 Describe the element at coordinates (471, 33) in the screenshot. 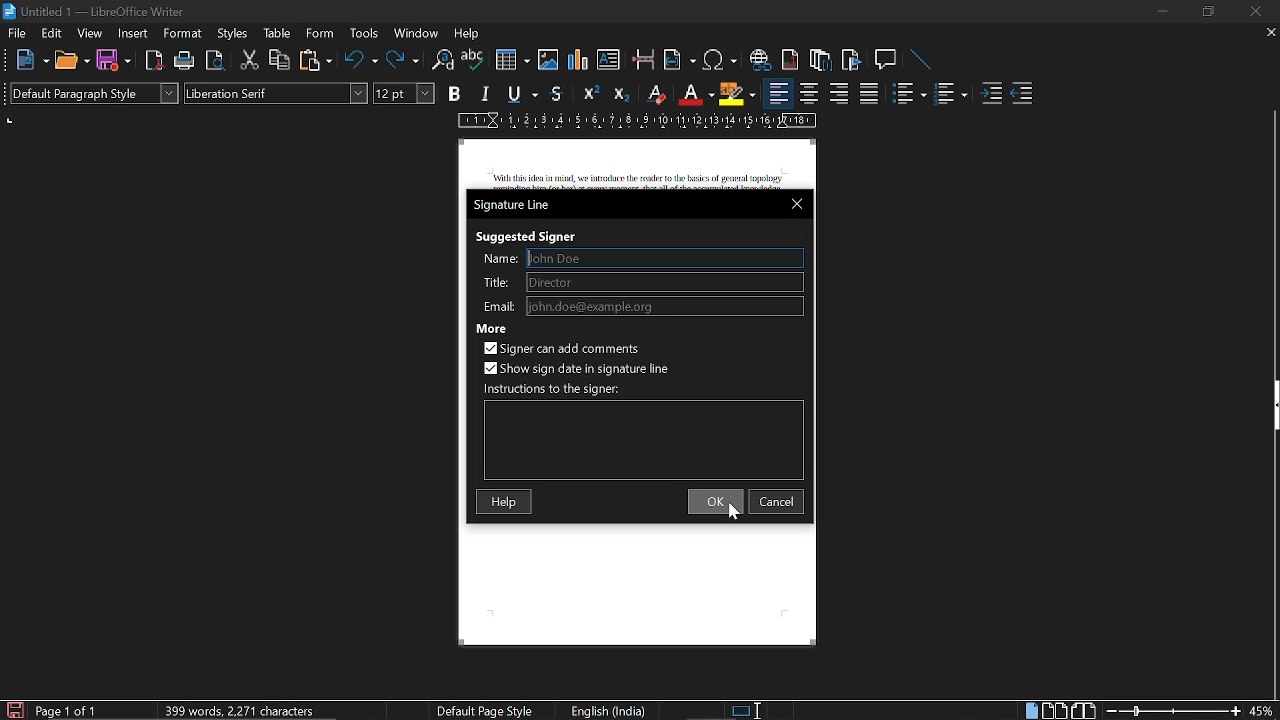

I see `help` at that location.